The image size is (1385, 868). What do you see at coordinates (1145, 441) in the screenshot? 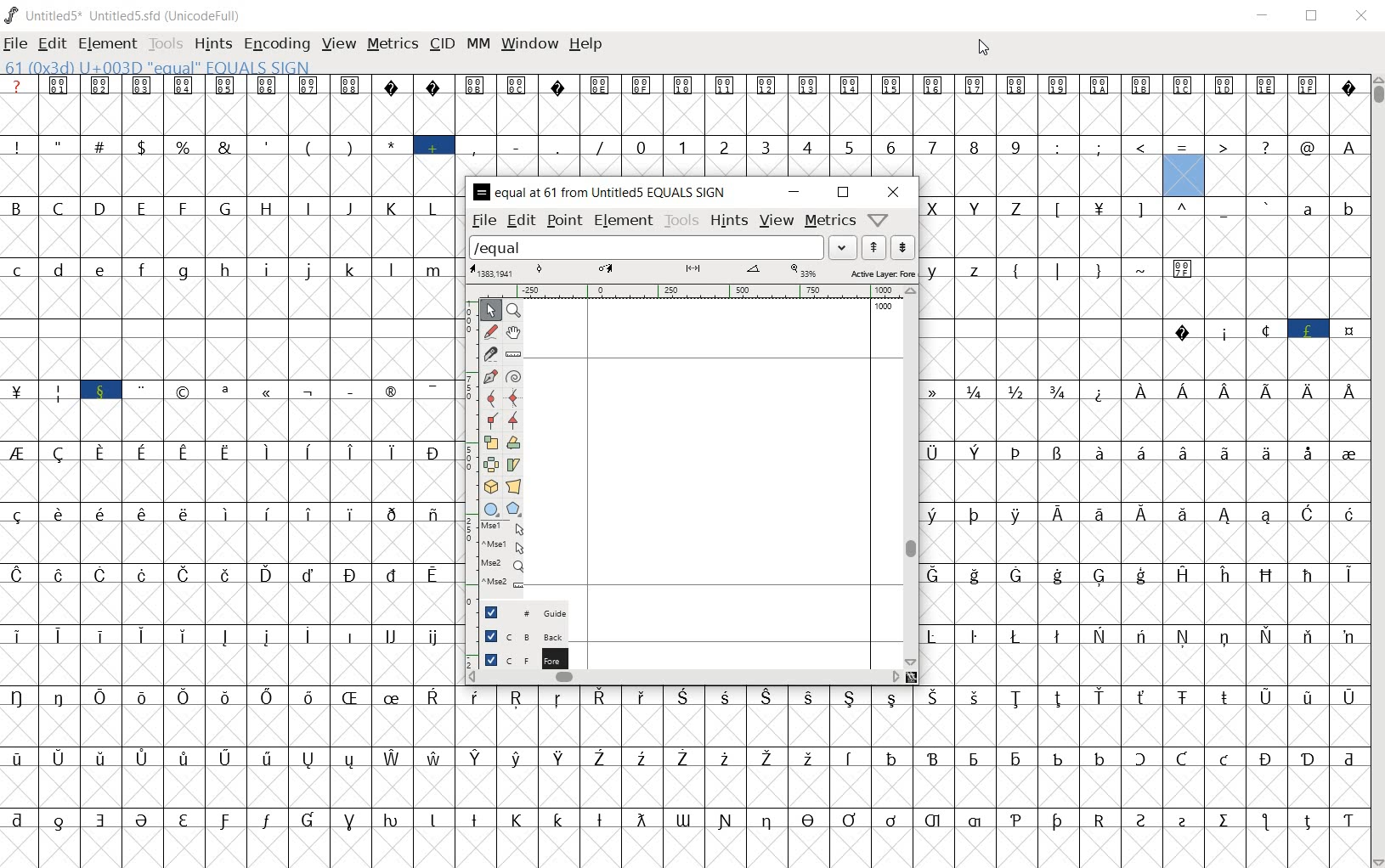
I see `glyph characters` at bounding box center [1145, 441].